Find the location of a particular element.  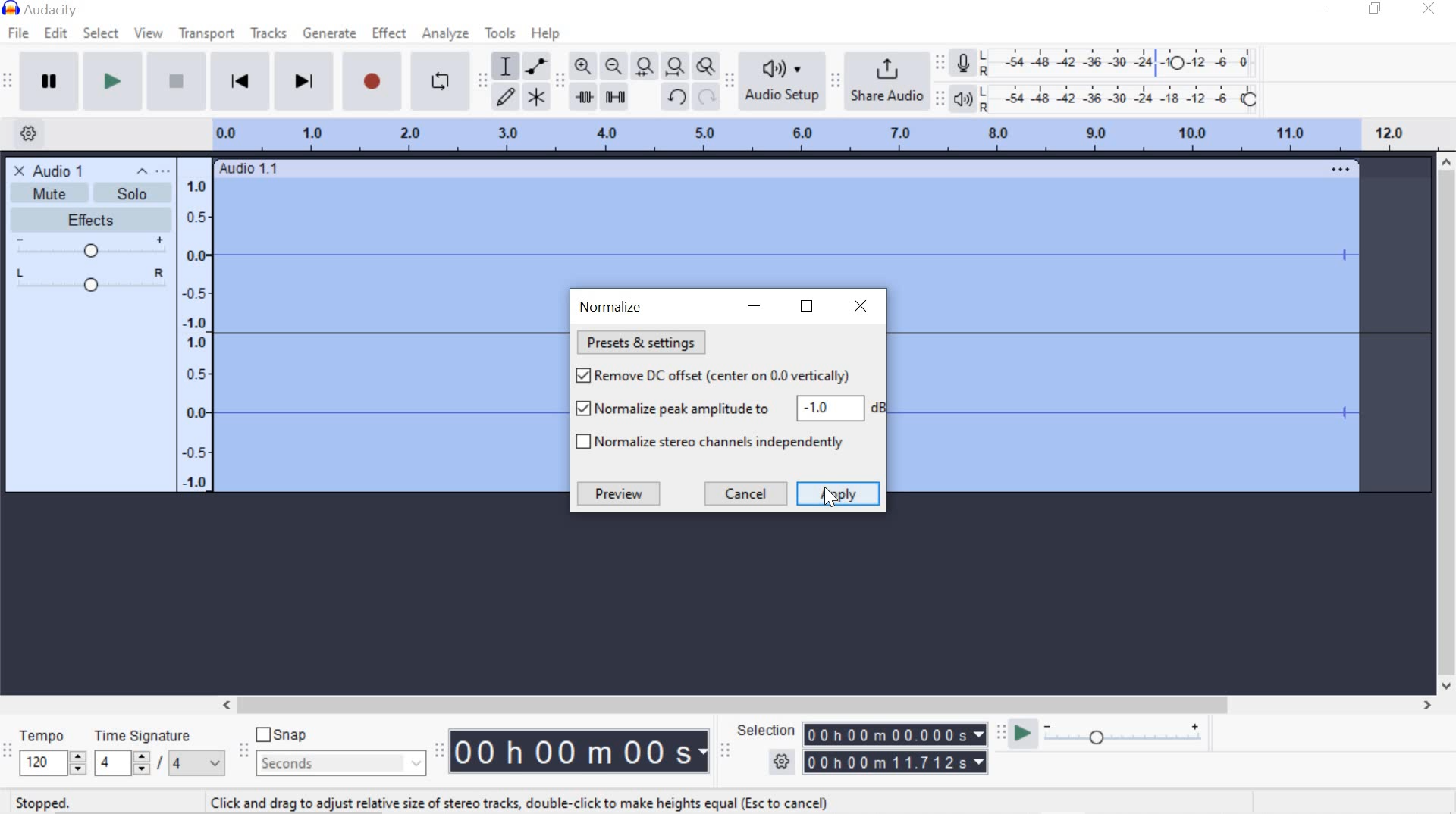

seconds is located at coordinates (338, 762).